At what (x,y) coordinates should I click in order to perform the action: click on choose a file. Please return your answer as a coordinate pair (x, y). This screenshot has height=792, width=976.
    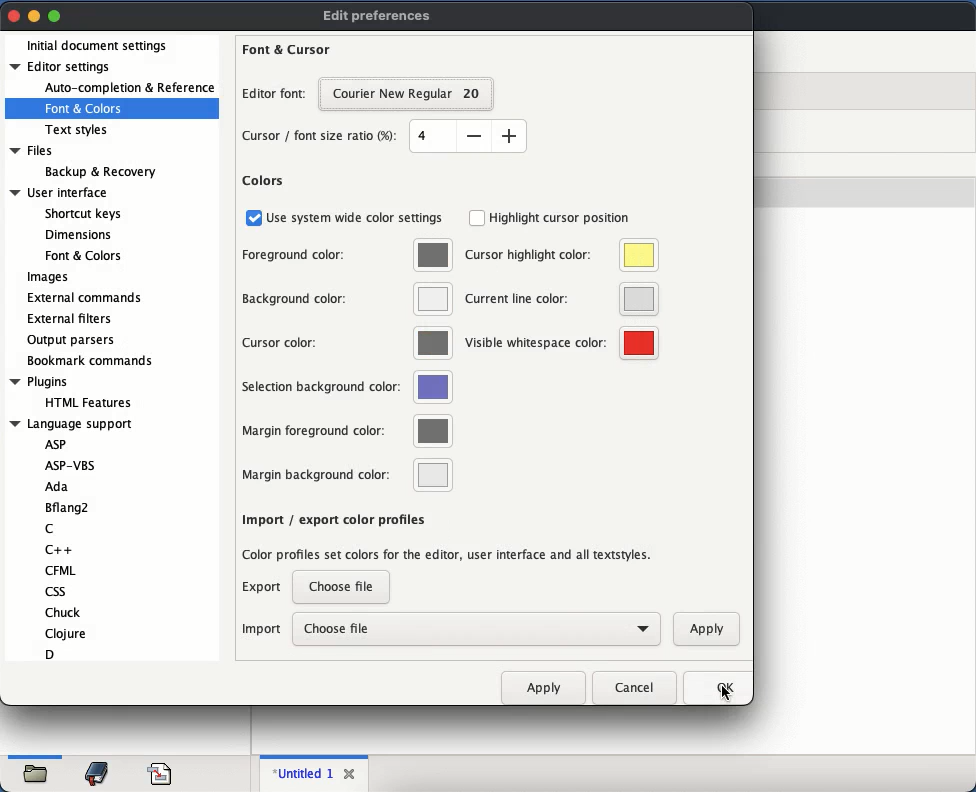
    Looking at the image, I should click on (341, 586).